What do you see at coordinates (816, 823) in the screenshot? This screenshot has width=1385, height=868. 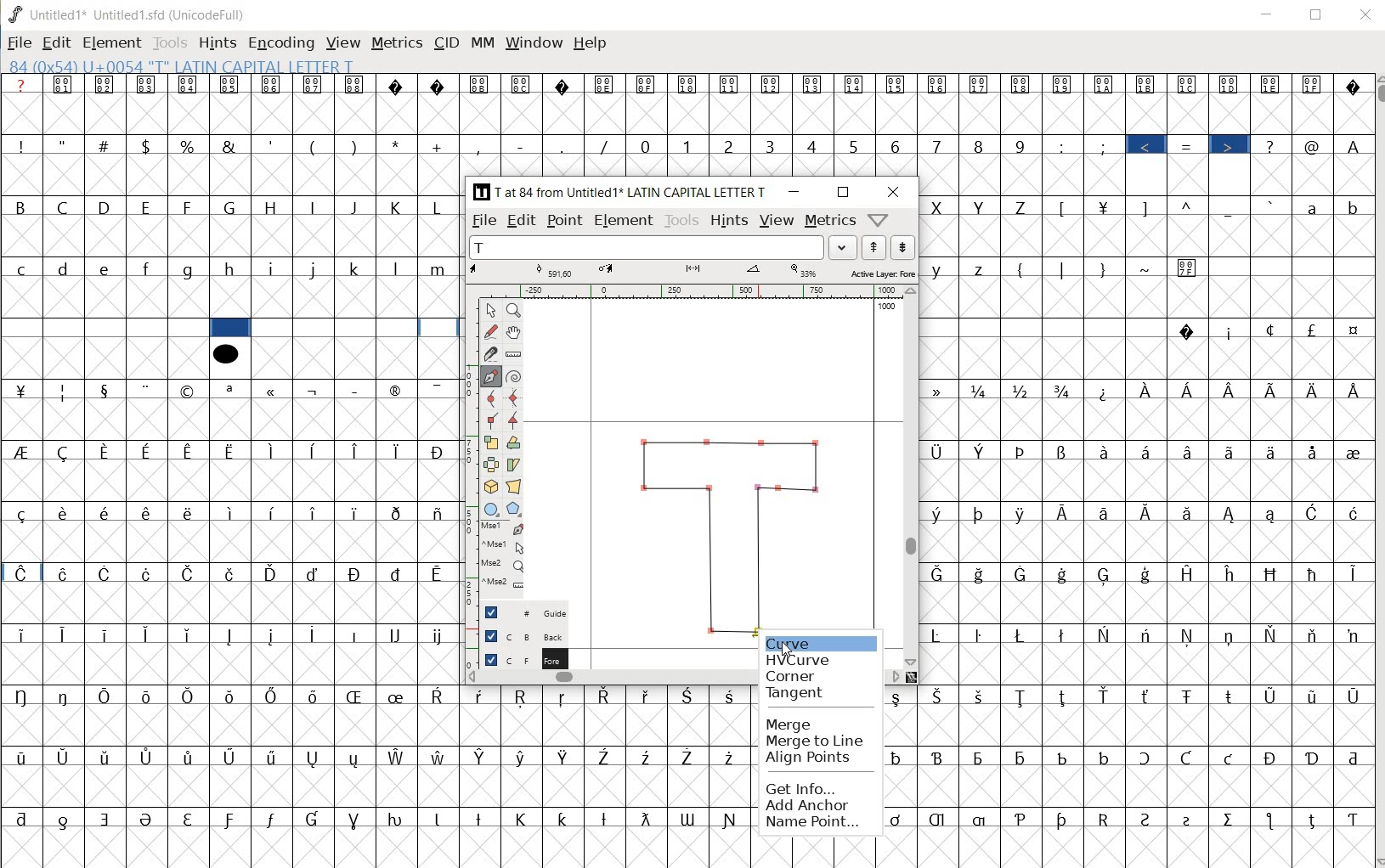 I see `name point` at bounding box center [816, 823].